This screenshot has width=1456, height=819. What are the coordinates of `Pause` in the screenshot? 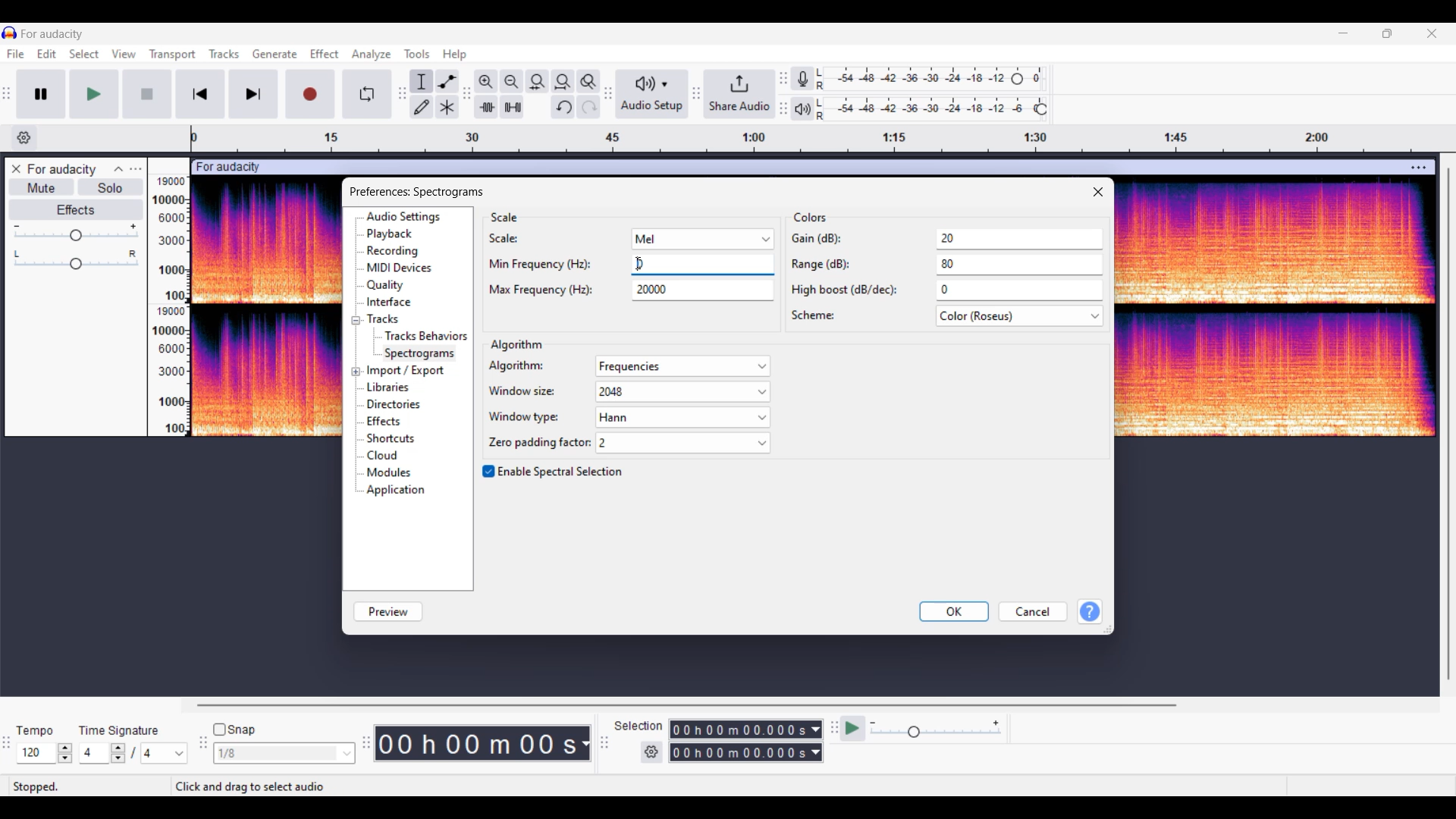 It's located at (42, 94).